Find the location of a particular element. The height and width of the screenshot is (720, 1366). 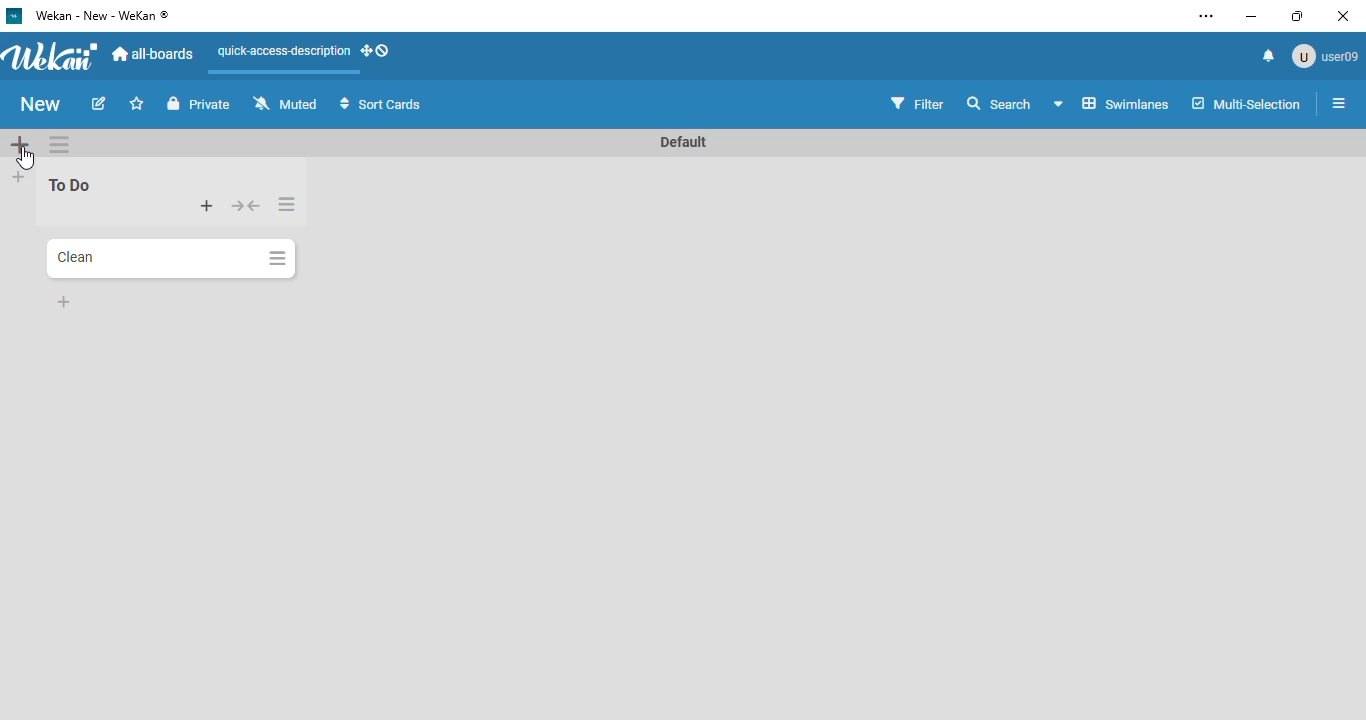

add list is located at coordinates (19, 175).